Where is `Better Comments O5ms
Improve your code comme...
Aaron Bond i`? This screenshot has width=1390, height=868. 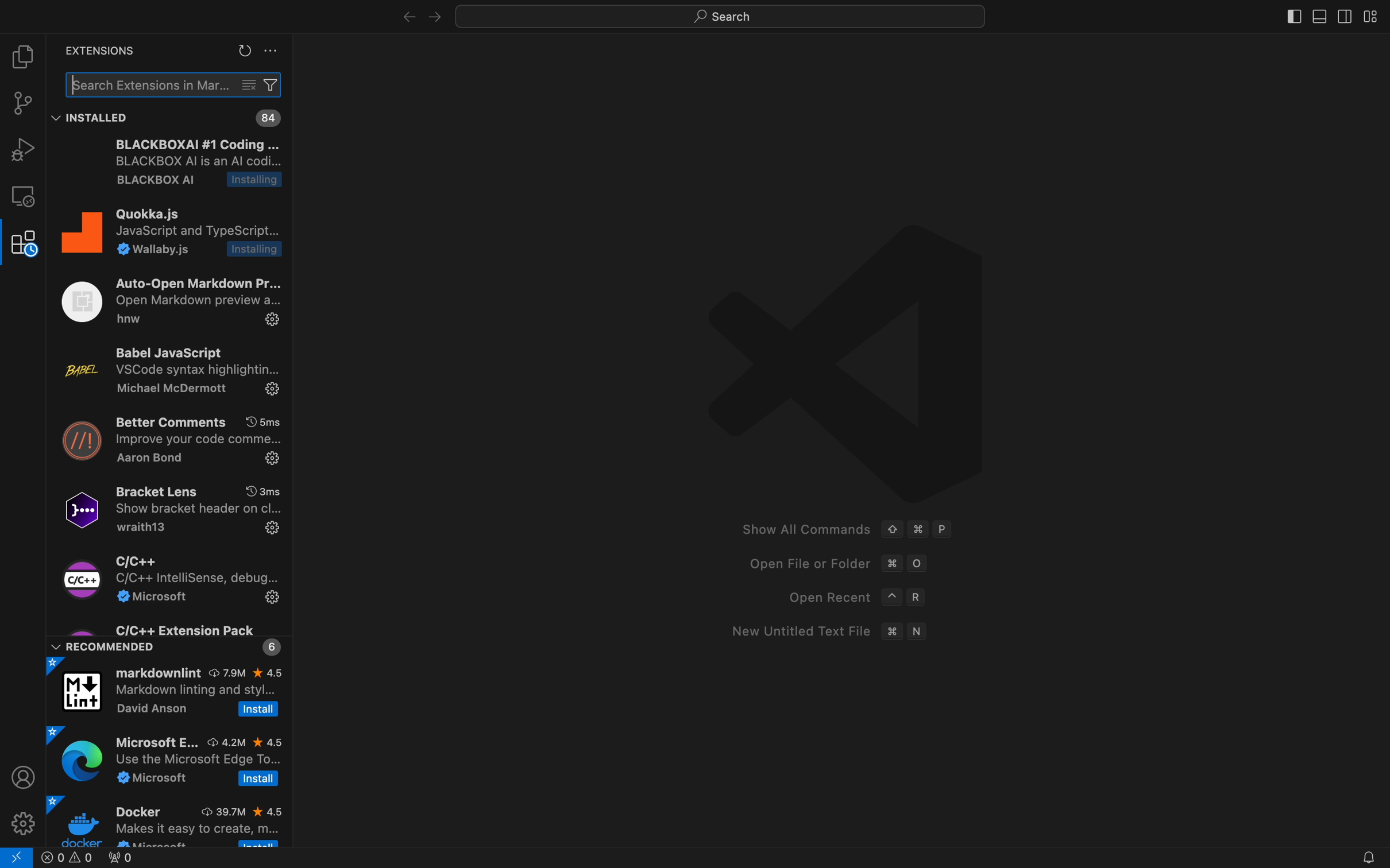 Better Comments O5ms
Improve your code comme...
Aaron Bond i is located at coordinates (169, 439).